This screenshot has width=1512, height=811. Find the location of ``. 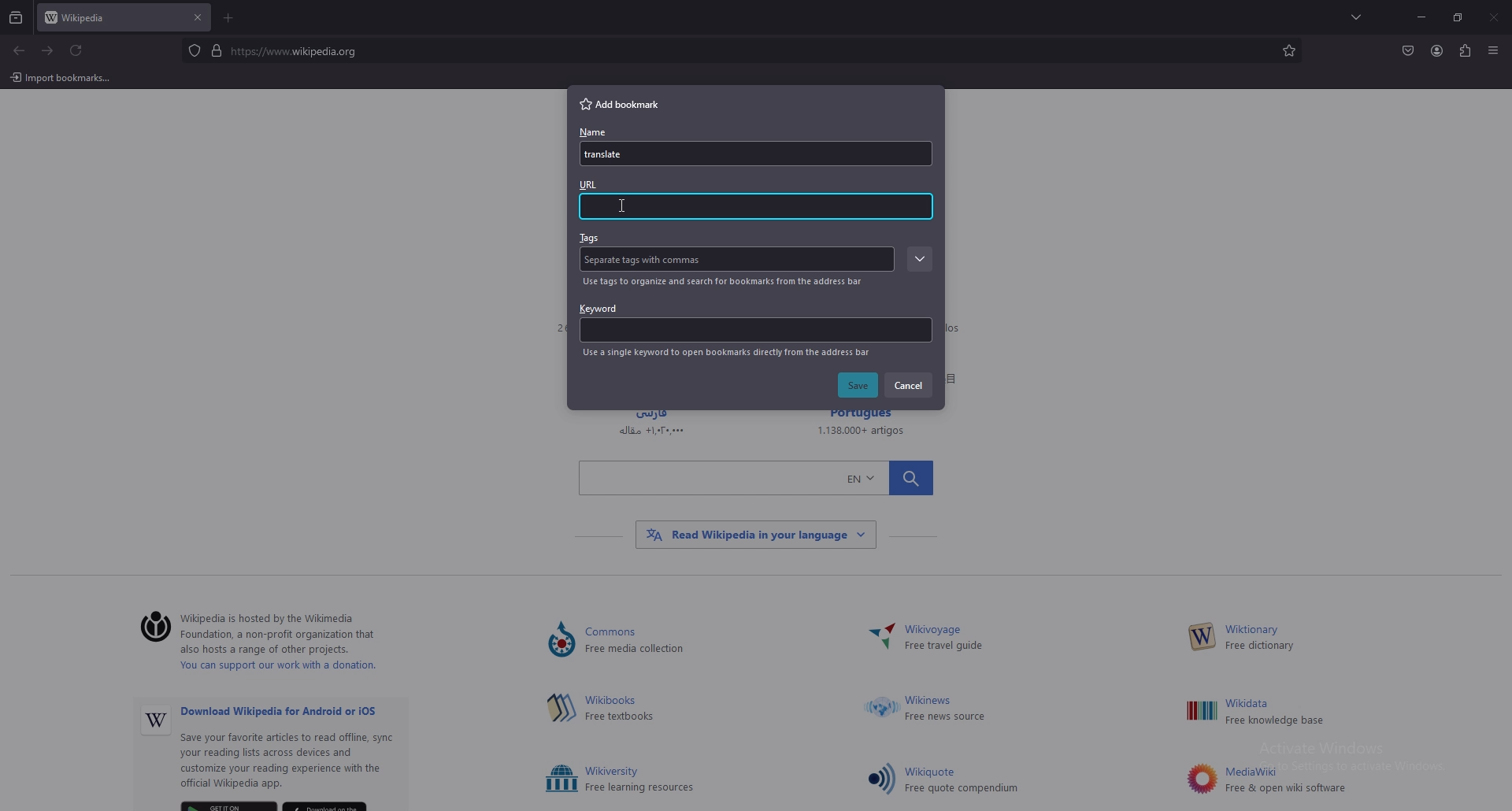

 is located at coordinates (1495, 19).